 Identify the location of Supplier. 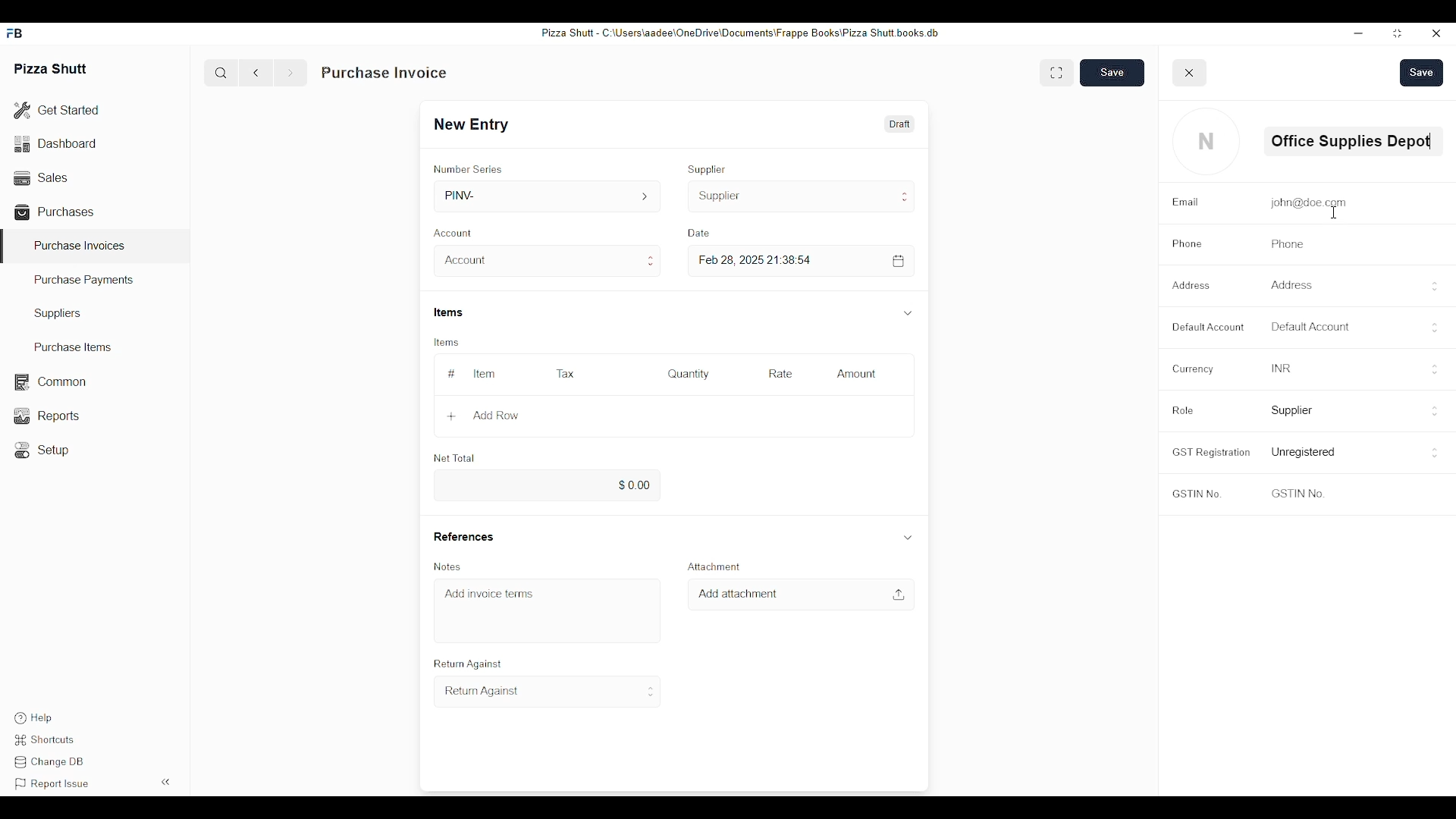
(802, 196).